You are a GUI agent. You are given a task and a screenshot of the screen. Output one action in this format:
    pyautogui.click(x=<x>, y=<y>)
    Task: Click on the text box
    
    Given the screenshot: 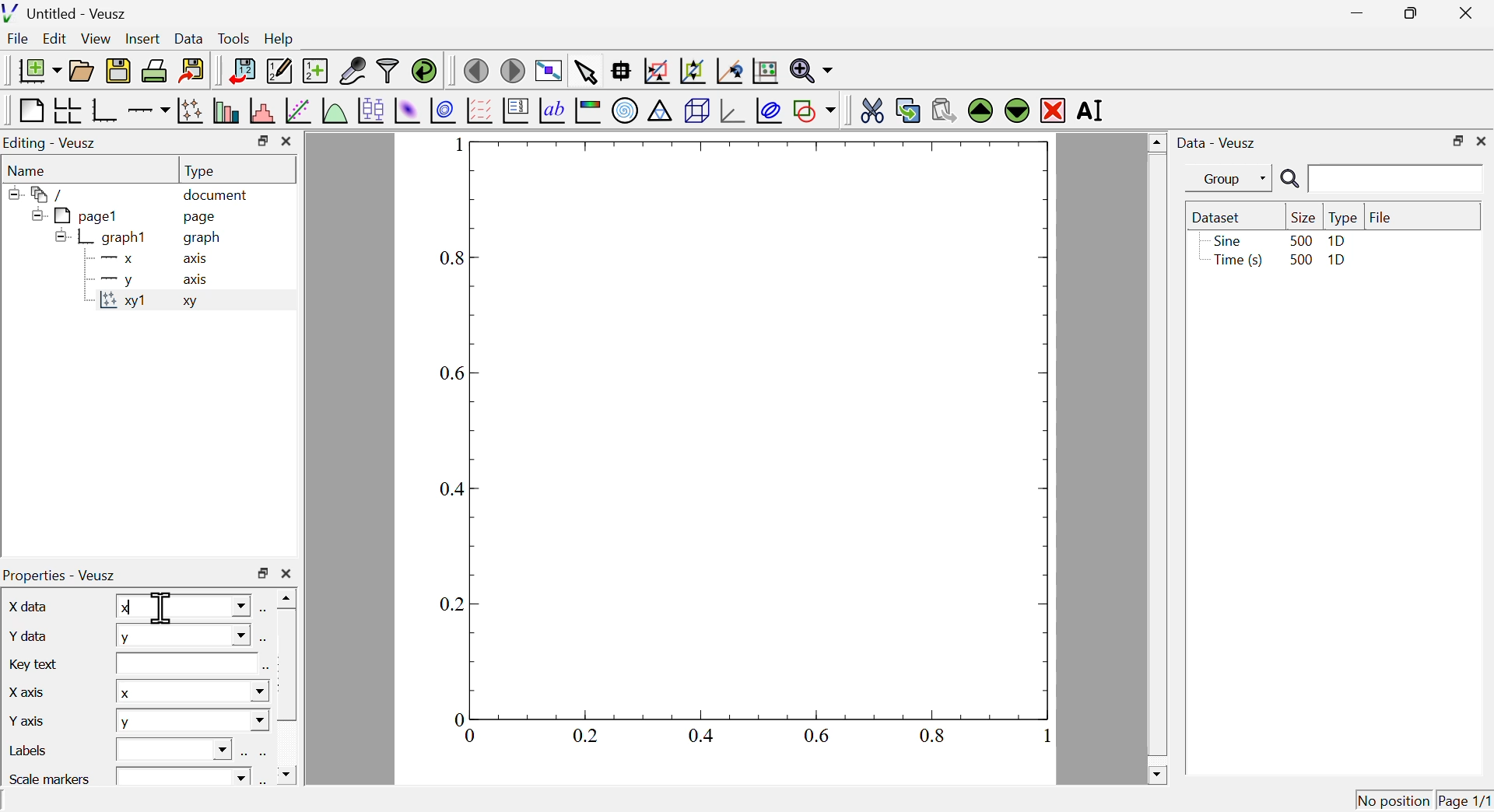 What is the action you would take?
    pyautogui.click(x=178, y=747)
    